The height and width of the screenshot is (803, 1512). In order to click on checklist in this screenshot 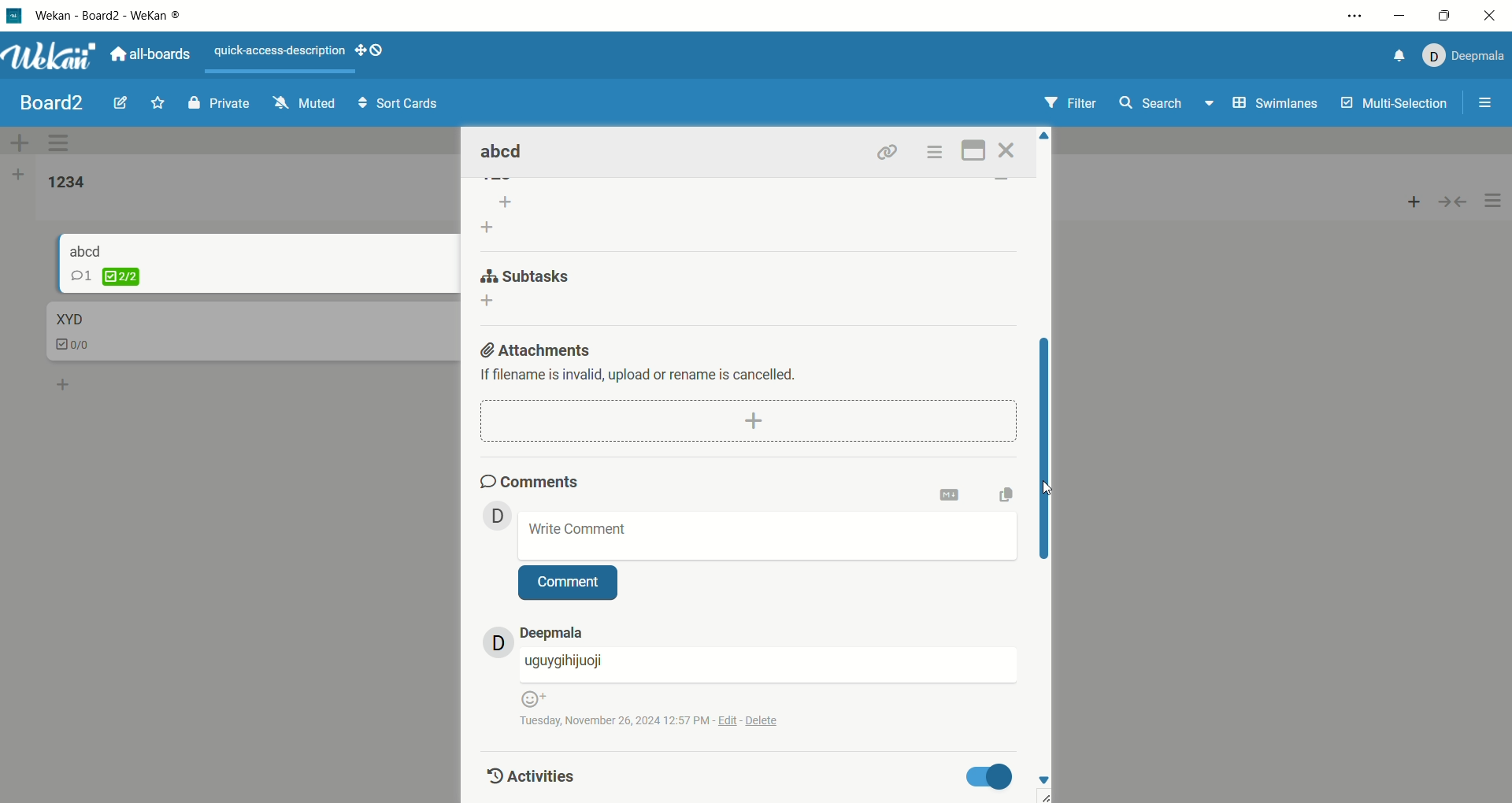, I will do `click(106, 276)`.